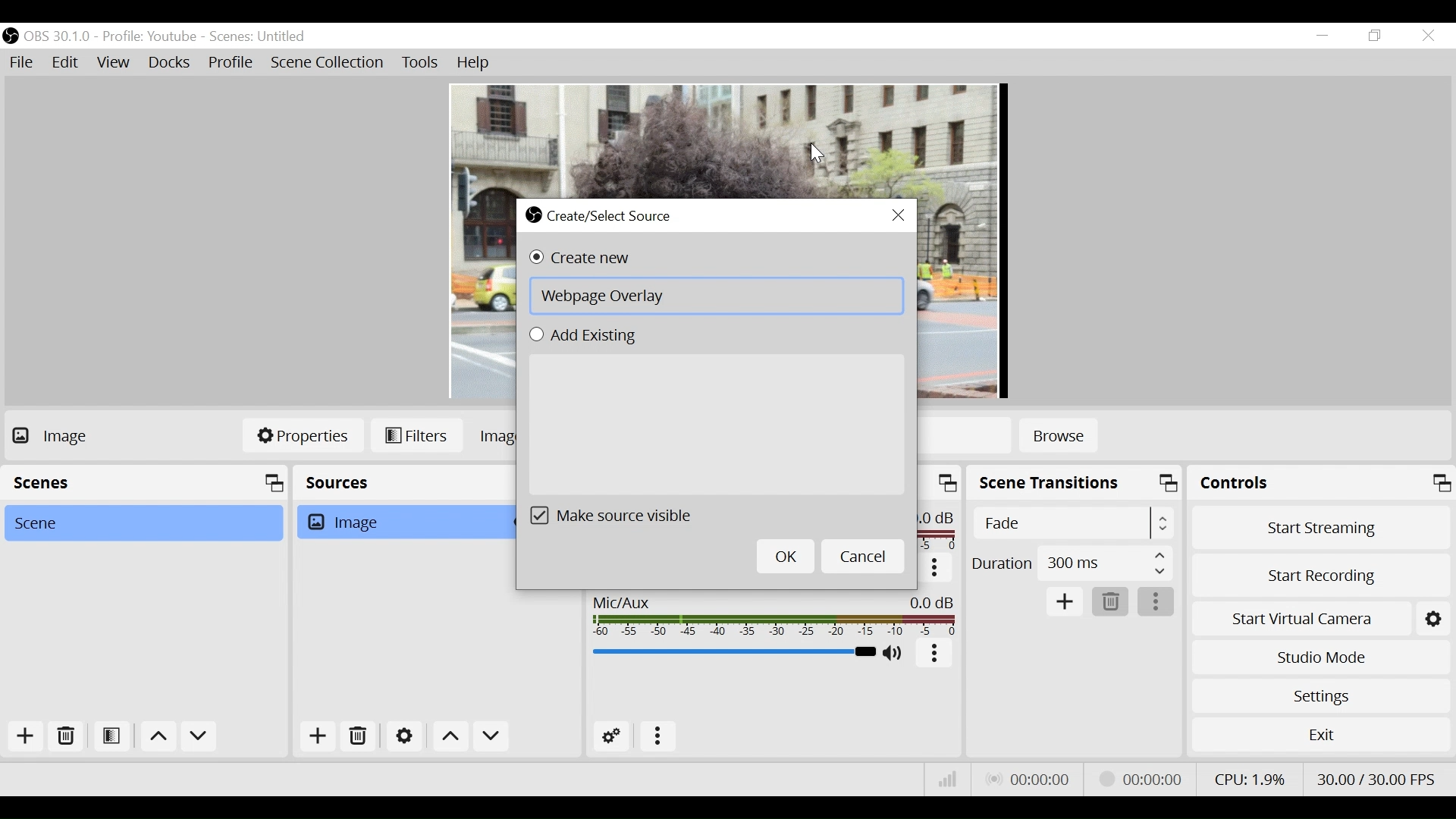  What do you see at coordinates (201, 737) in the screenshot?
I see `Move down` at bounding box center [201, 737].